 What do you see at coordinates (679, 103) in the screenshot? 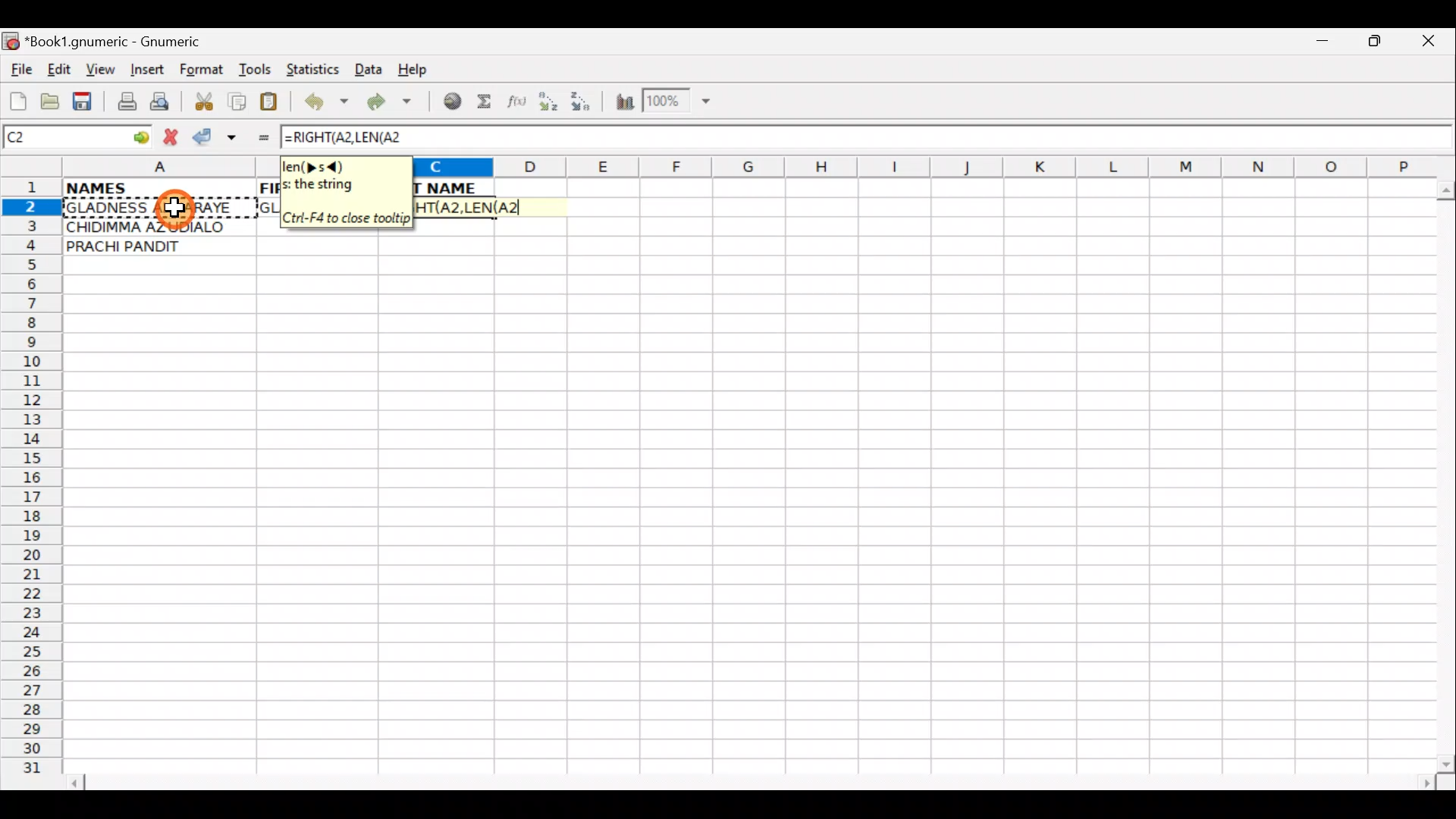
I see `Zoom` at bounding box center [679, 103].